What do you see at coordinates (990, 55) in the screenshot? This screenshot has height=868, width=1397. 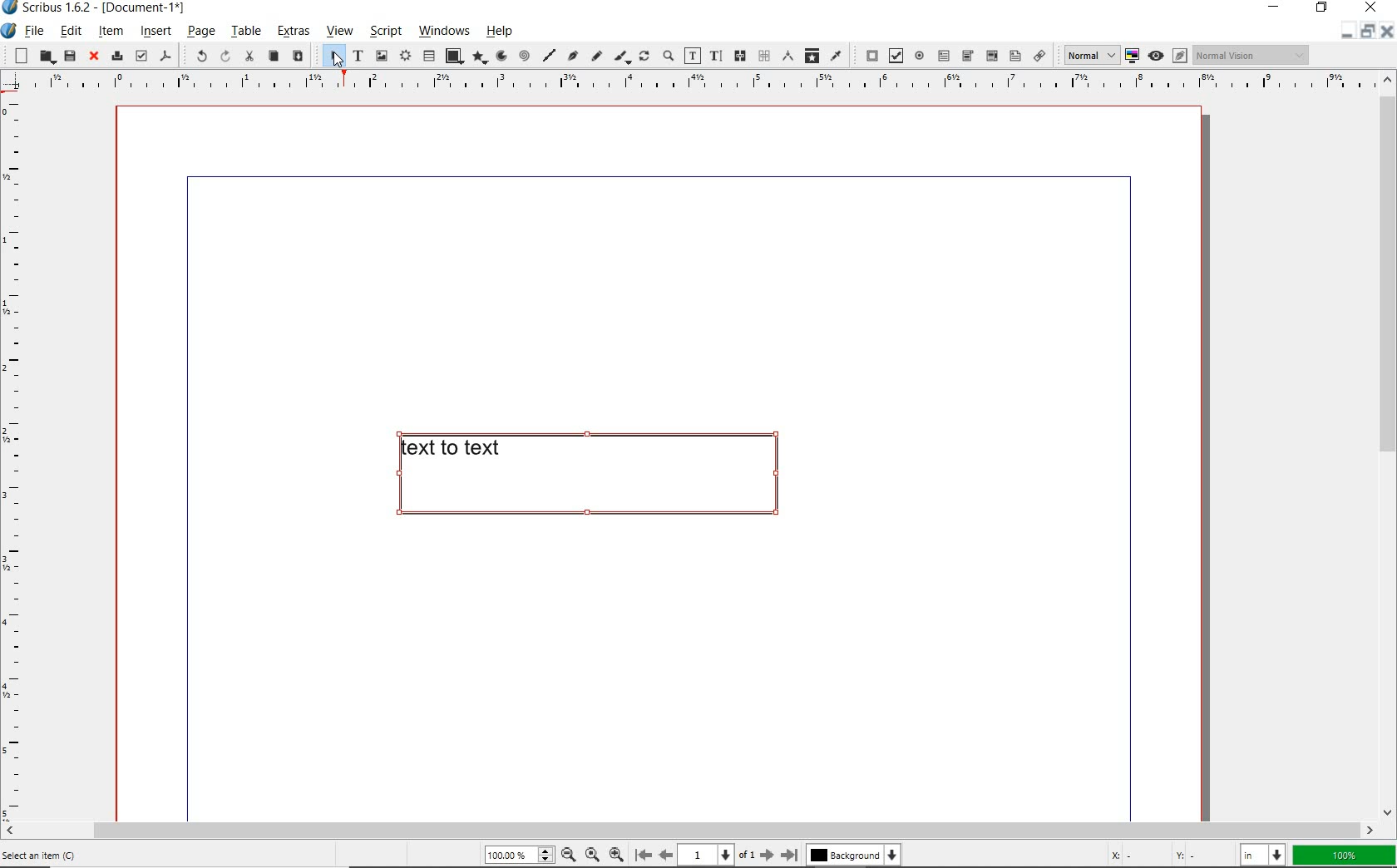 I see `pdf list box` at bounding box center [990, 55].